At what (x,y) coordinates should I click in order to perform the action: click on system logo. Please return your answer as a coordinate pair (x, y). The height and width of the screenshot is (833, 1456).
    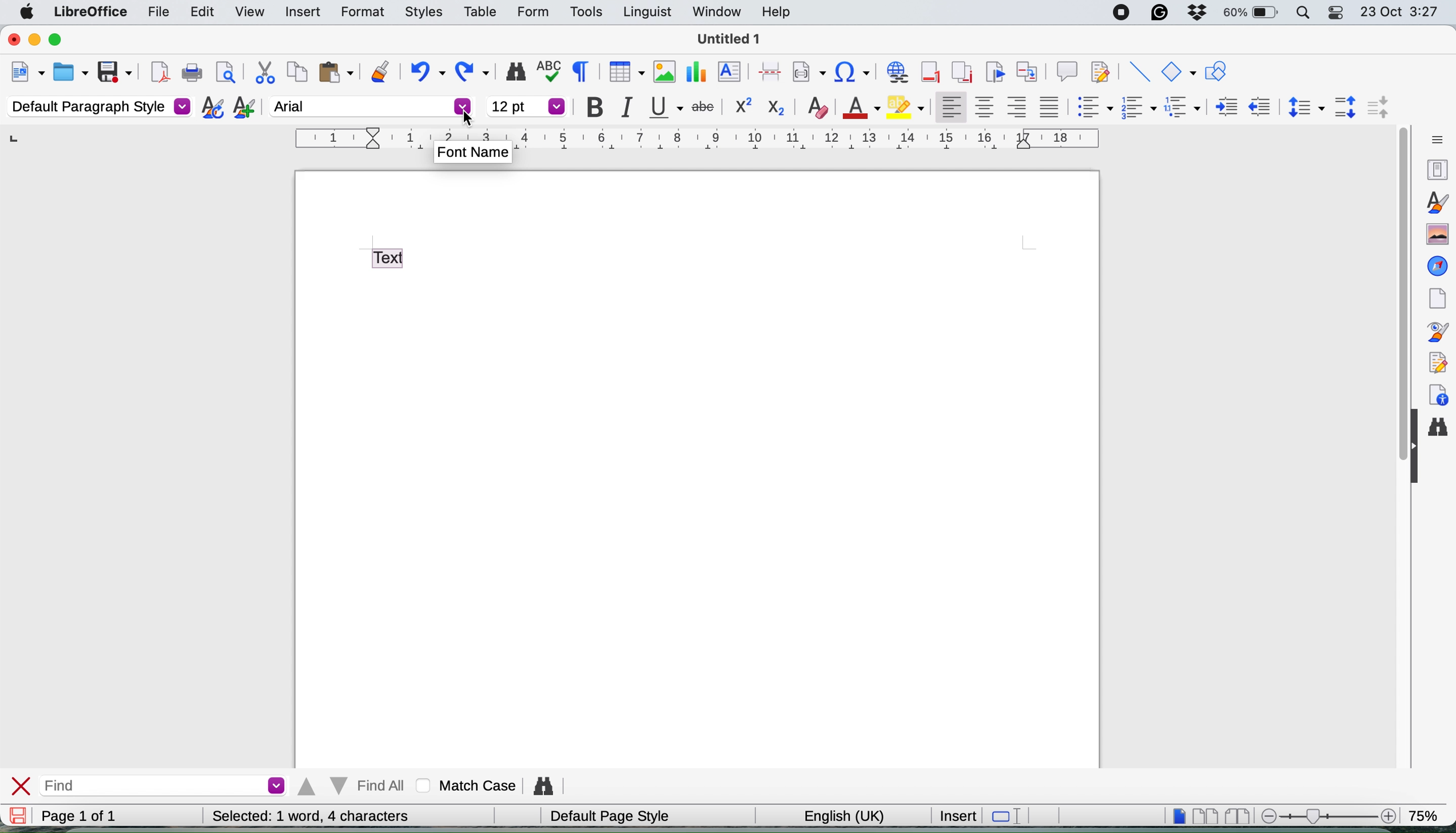
    Looking at the image, I should click on (27, 12).